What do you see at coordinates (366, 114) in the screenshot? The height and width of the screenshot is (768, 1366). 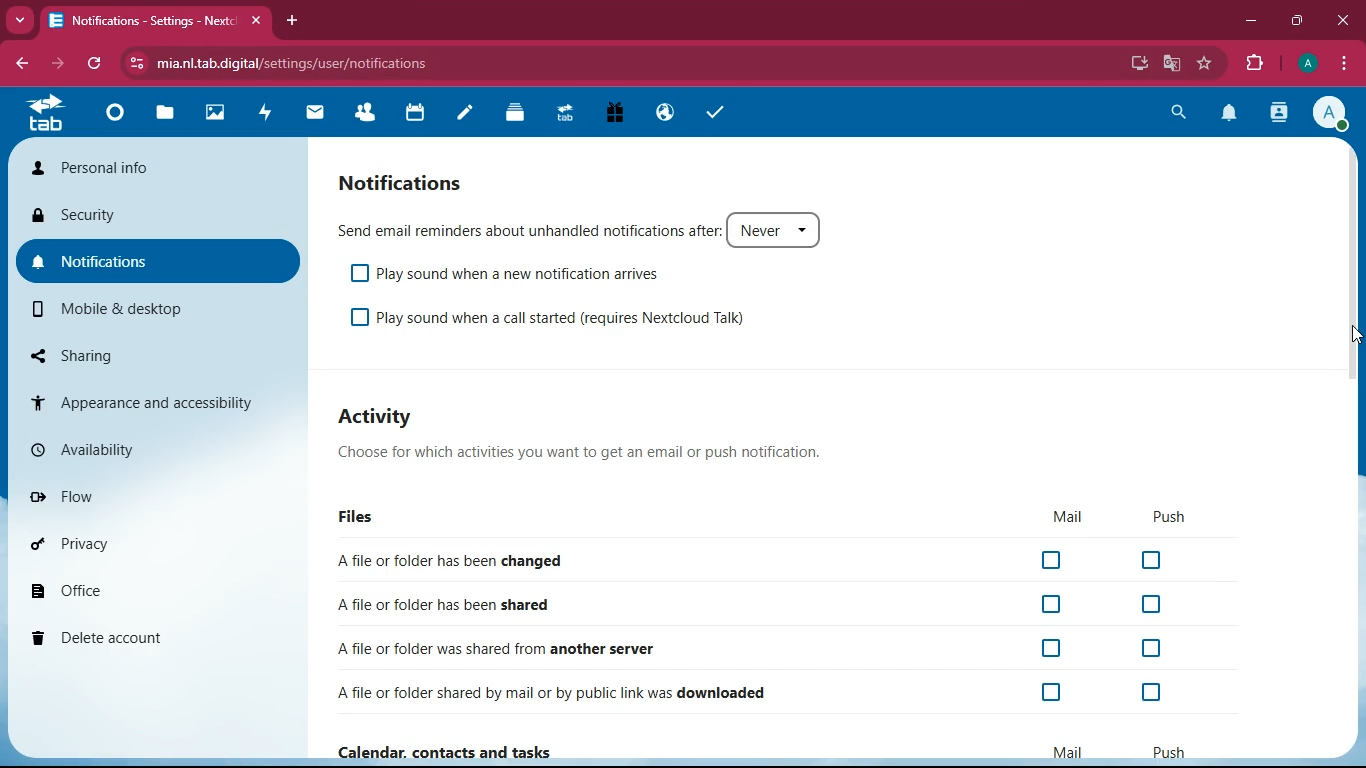 I see `Contacts` at bounding box center [366, 114].